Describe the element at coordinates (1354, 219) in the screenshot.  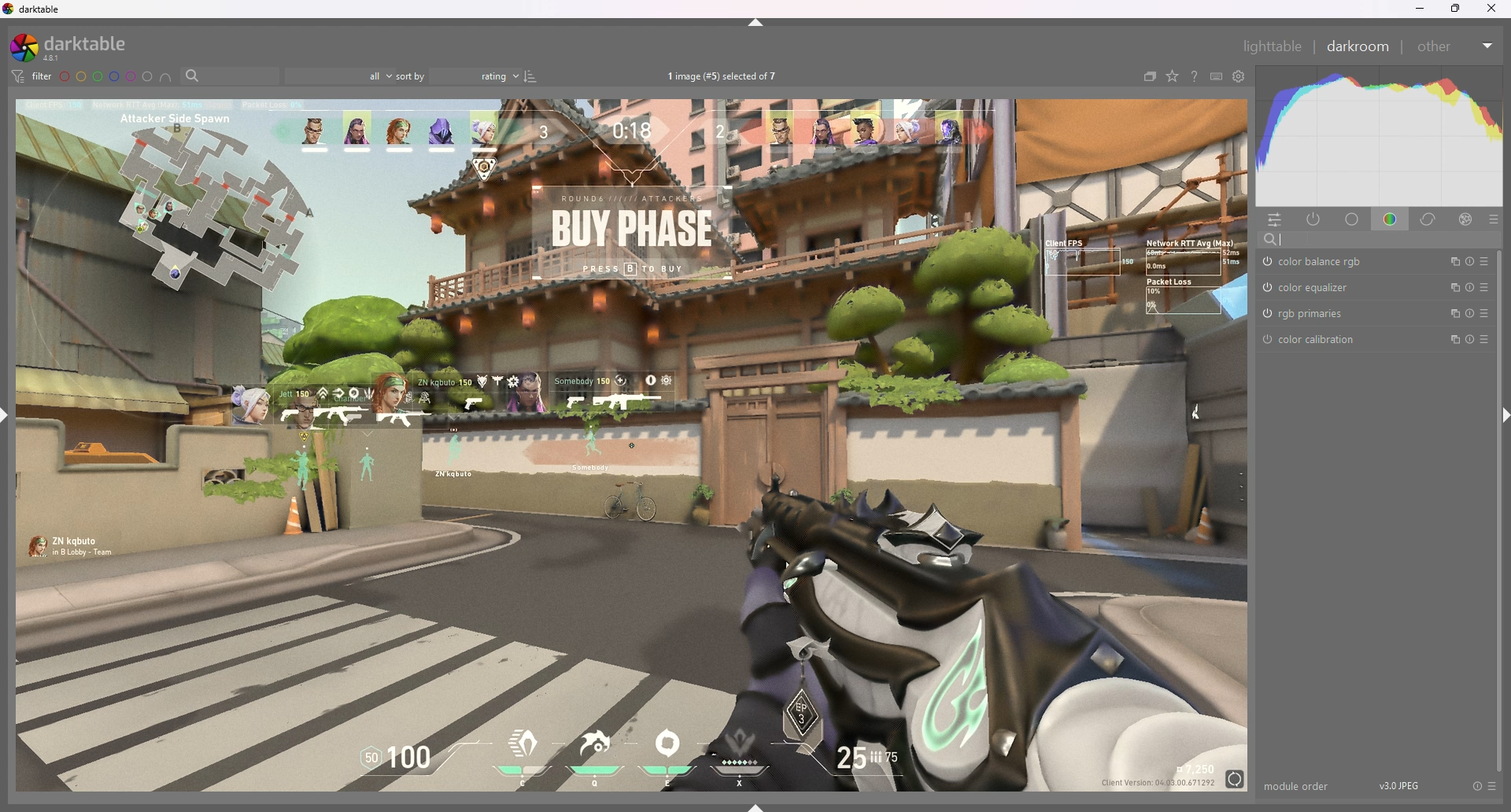
I see `base` at that location.